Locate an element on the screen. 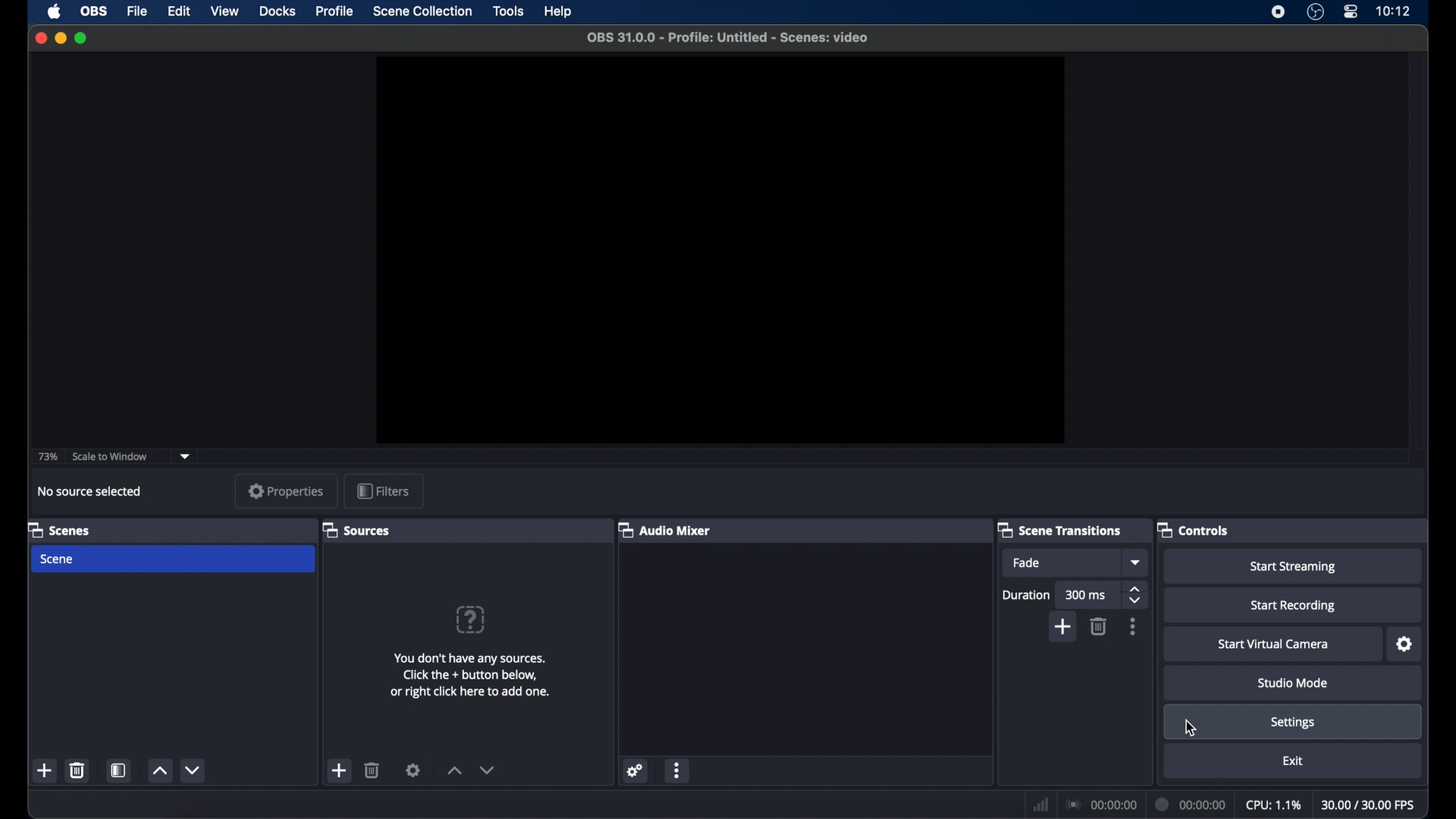 The image size is (1456, 819). scale to window is located at coordinates (111, 456).